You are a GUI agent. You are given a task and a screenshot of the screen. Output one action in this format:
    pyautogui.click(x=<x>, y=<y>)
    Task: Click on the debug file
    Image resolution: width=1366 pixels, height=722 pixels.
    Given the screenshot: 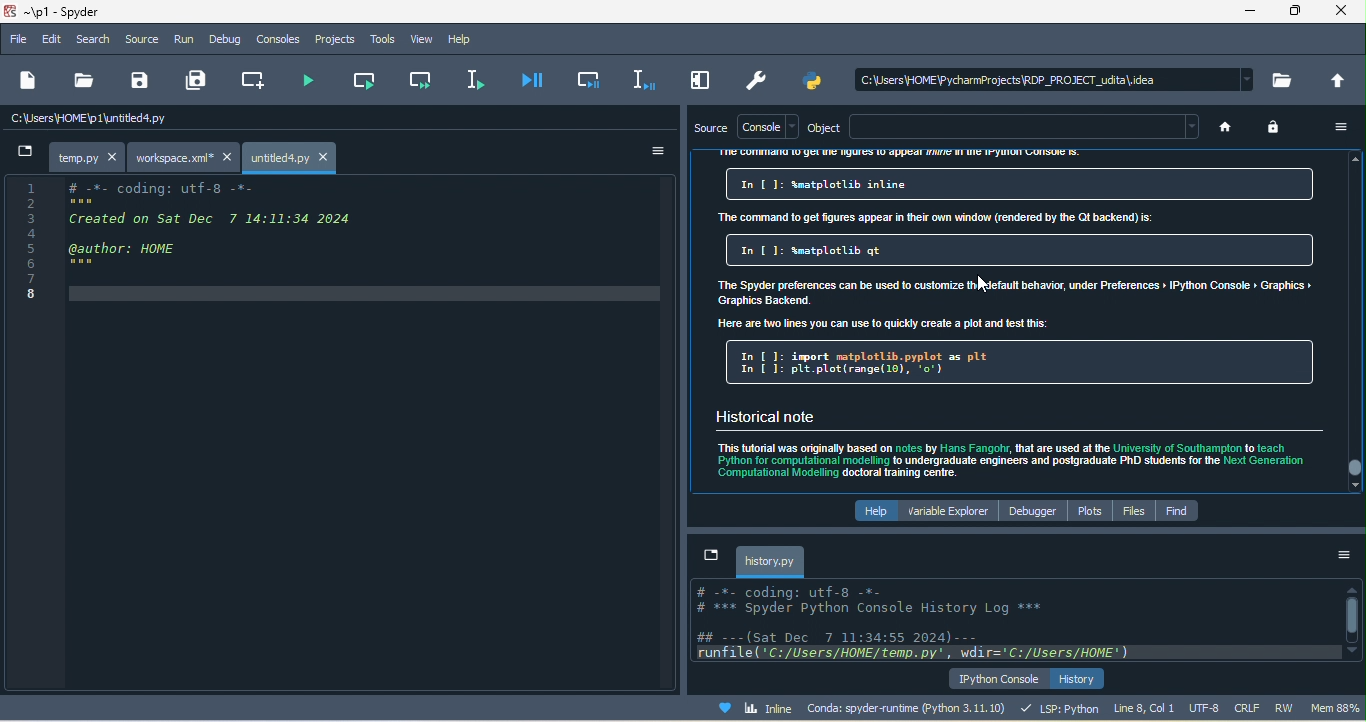 What is the action you would take?
    pyautogui.click(x=537, y=81)
    